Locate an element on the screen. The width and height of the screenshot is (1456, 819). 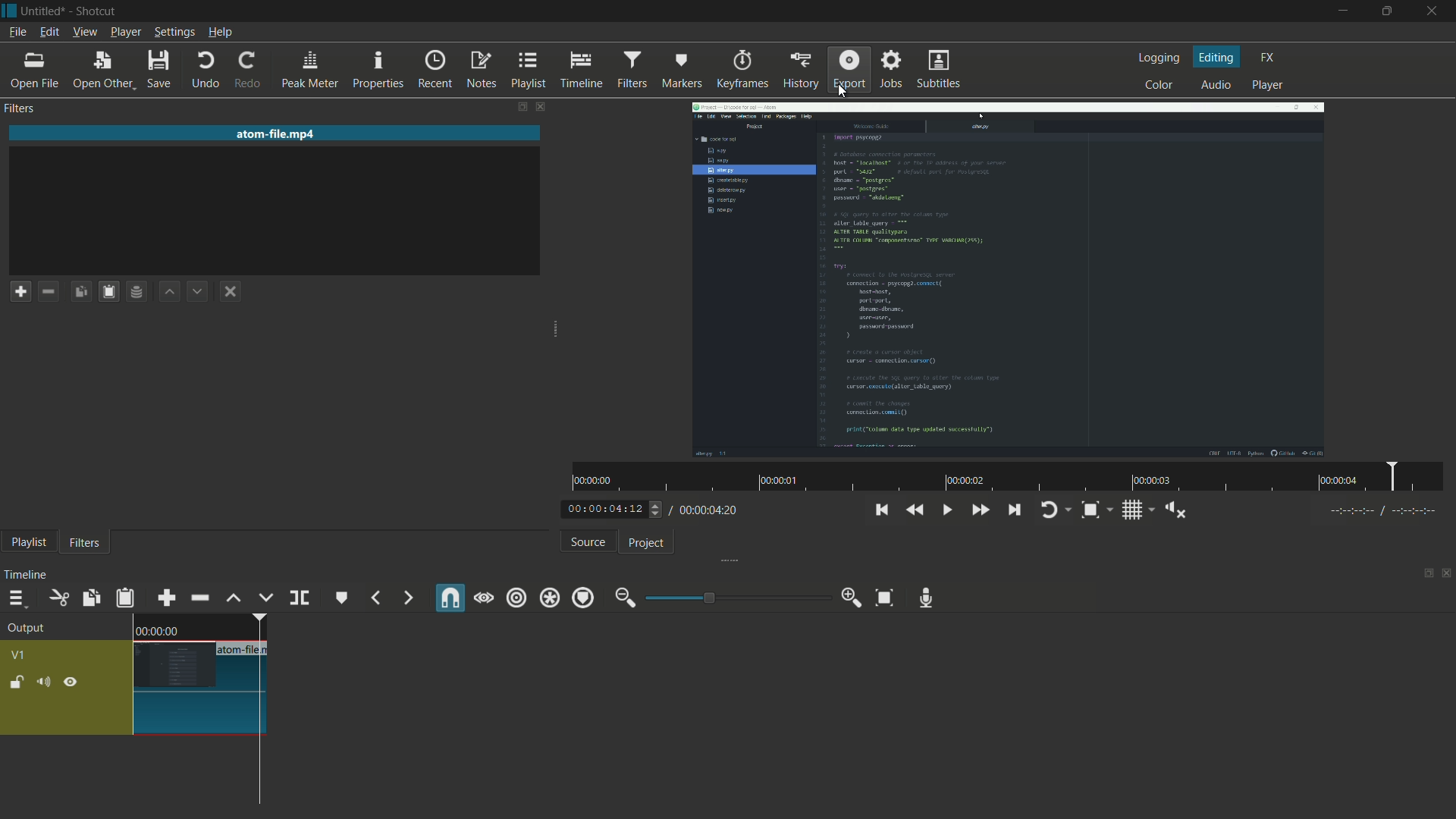
toggle play or pause is located at coordinates (948, 510).